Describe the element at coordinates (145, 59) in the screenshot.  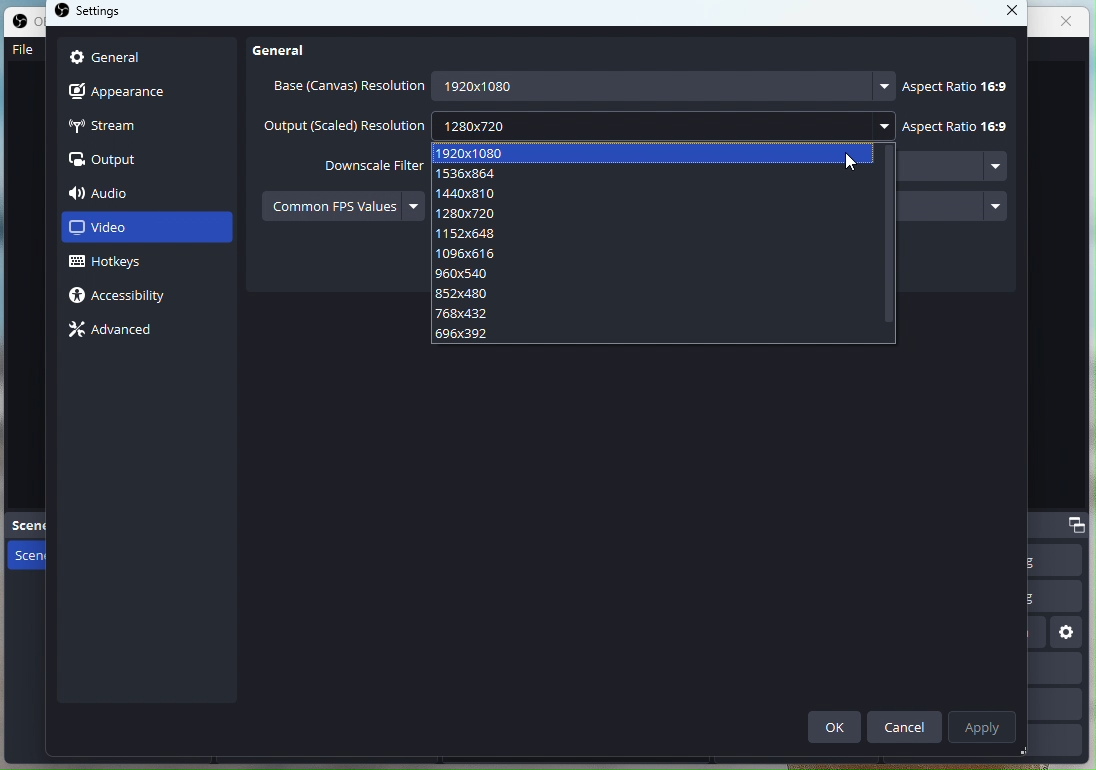
I see `General` at that location.